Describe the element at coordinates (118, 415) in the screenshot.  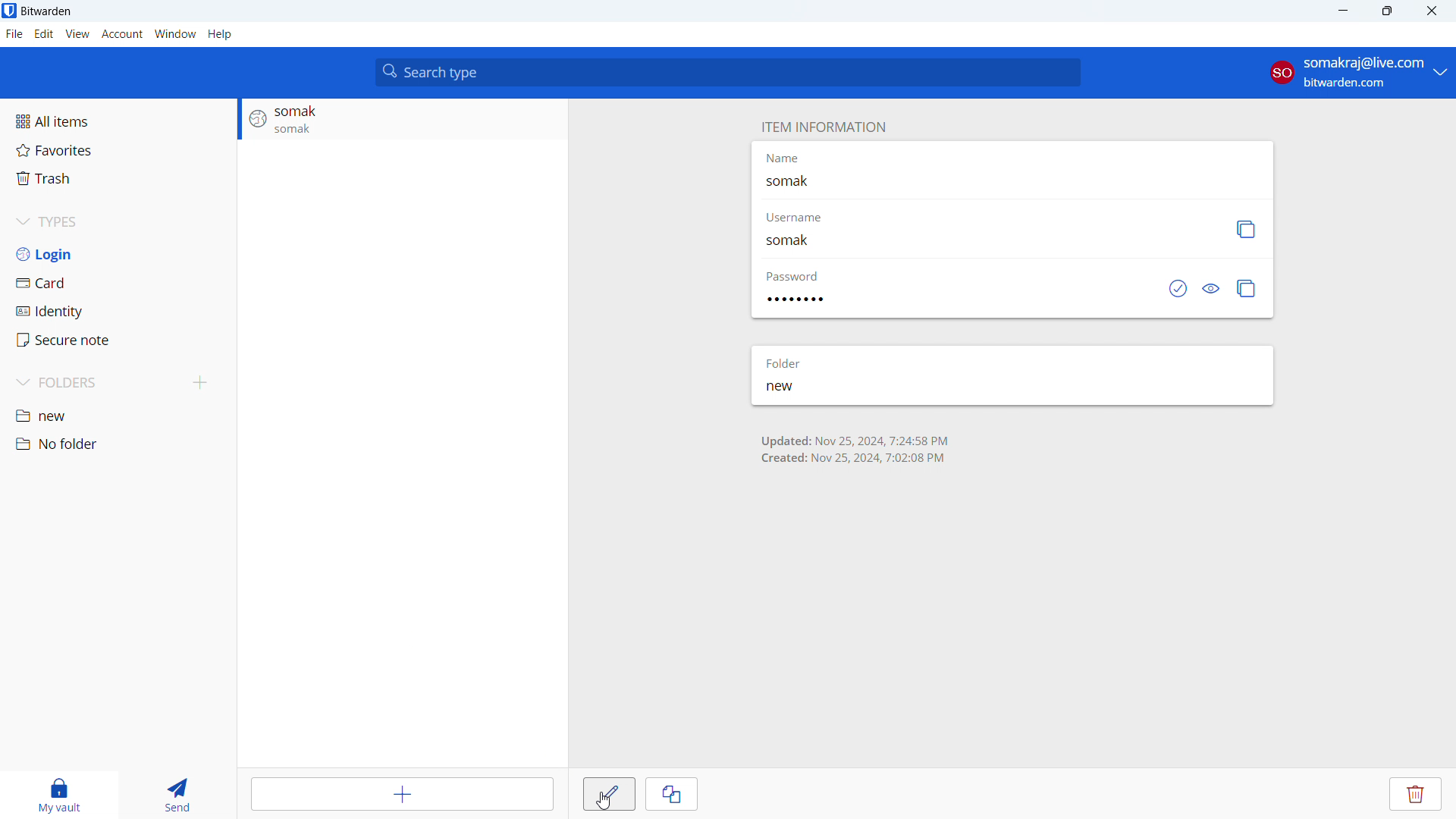
I see `new` at that location.